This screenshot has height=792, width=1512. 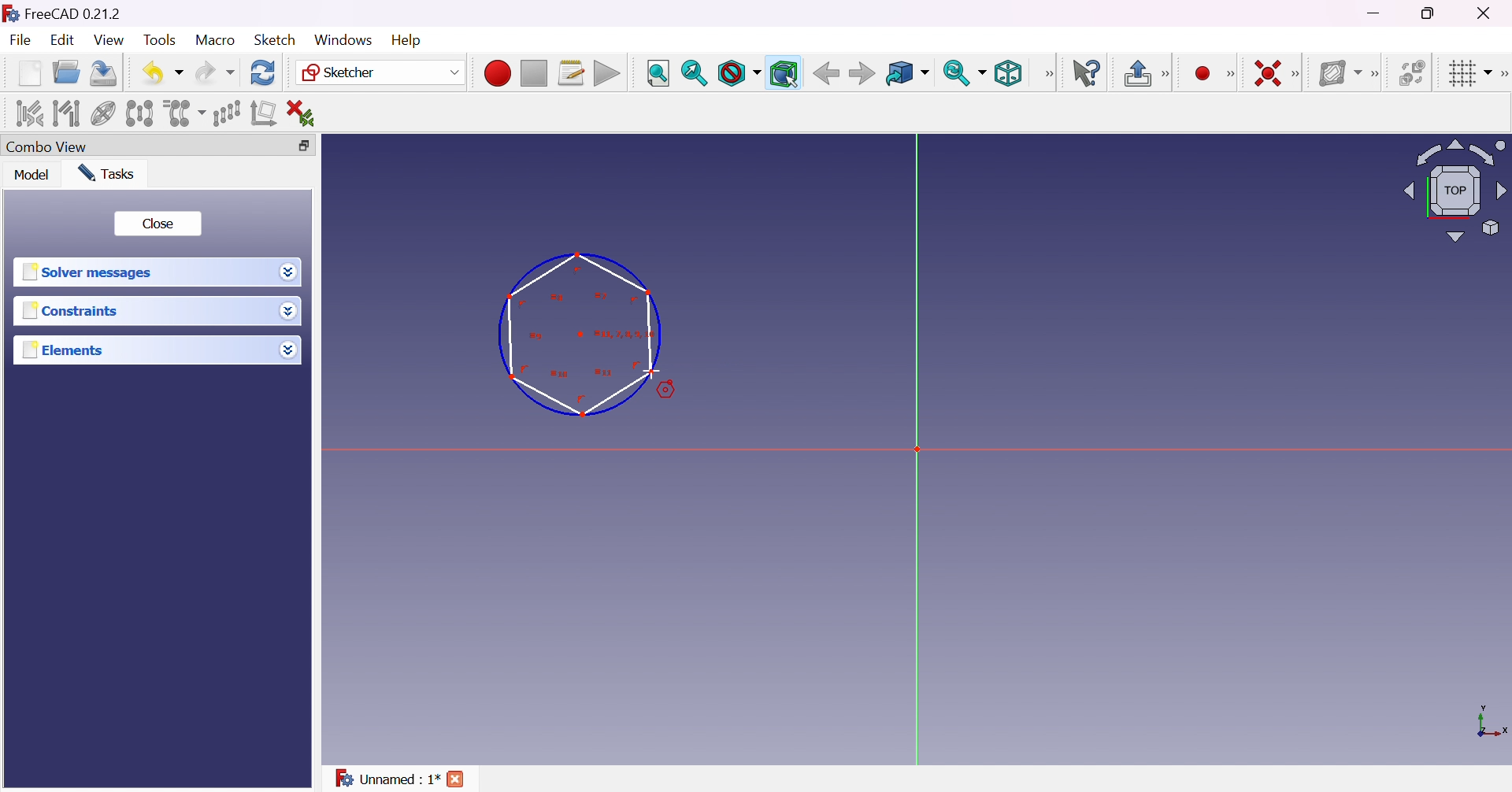 I want to click on Sketch, so click(x=280, y=39).